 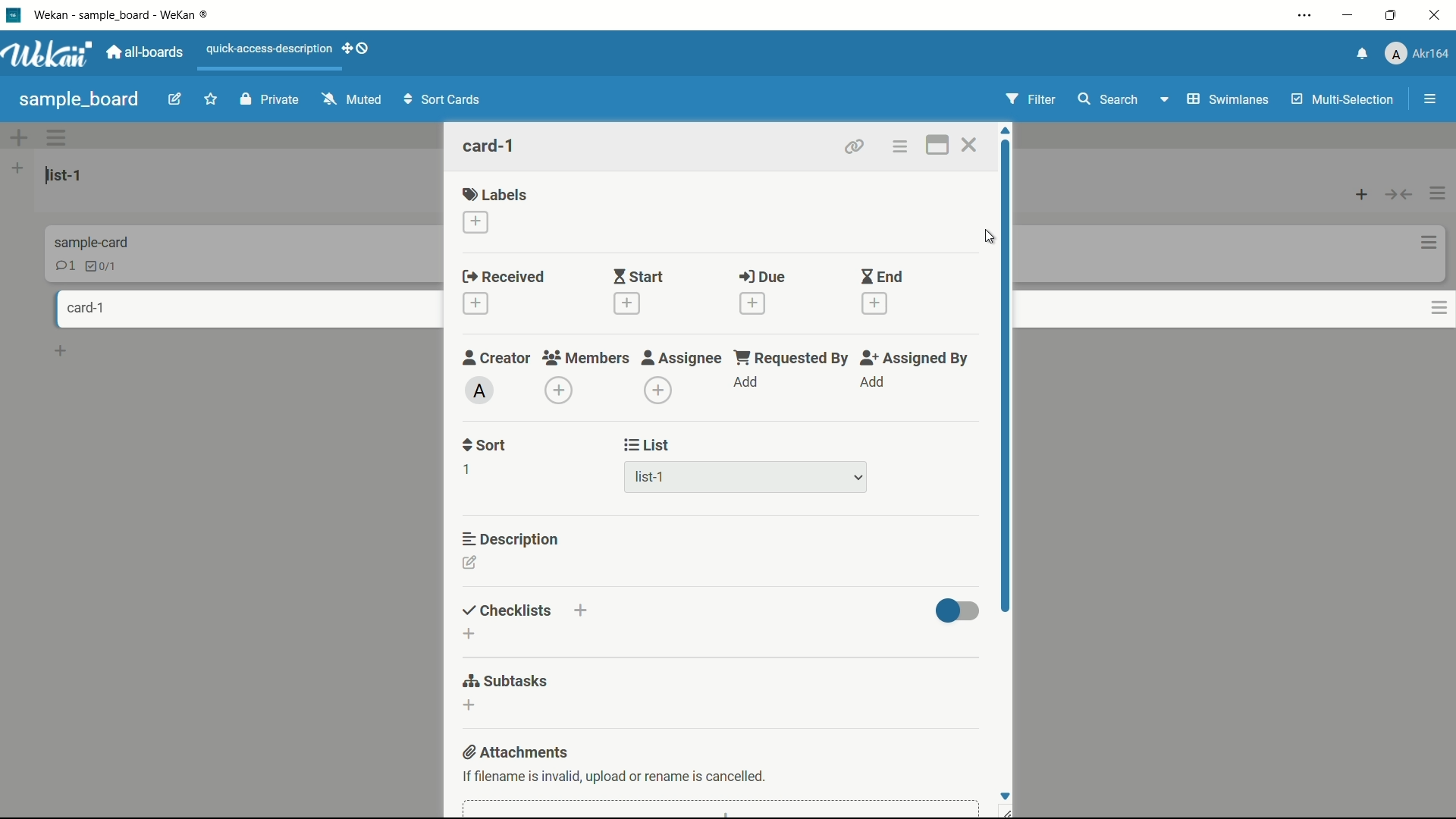 I want to click on received, so click(x=503, y=276).